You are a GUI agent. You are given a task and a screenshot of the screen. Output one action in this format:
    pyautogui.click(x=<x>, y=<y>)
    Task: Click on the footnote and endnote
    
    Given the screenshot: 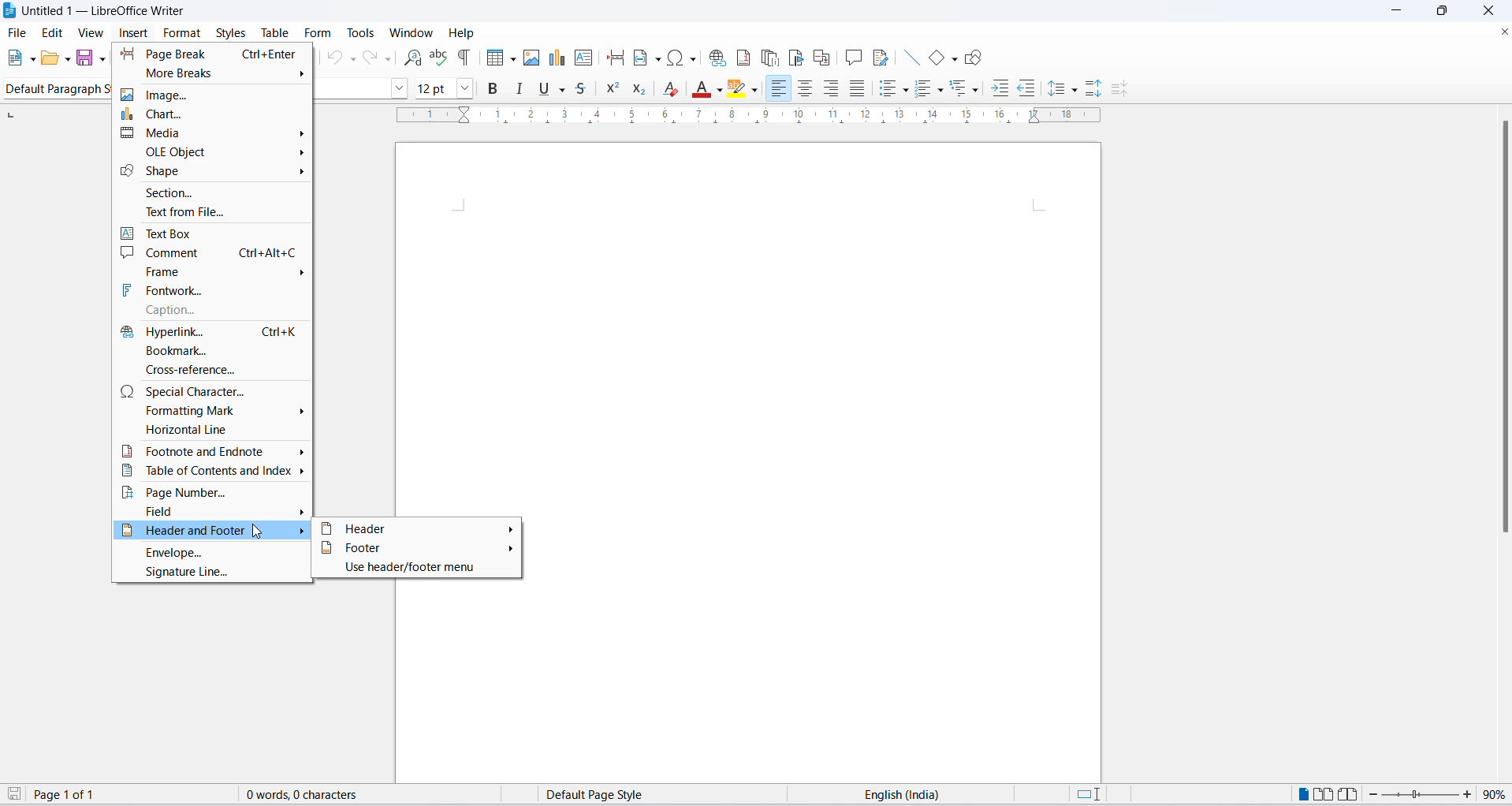 What is the action you would take?
    pyautogui.click(x=213, y=450)
    